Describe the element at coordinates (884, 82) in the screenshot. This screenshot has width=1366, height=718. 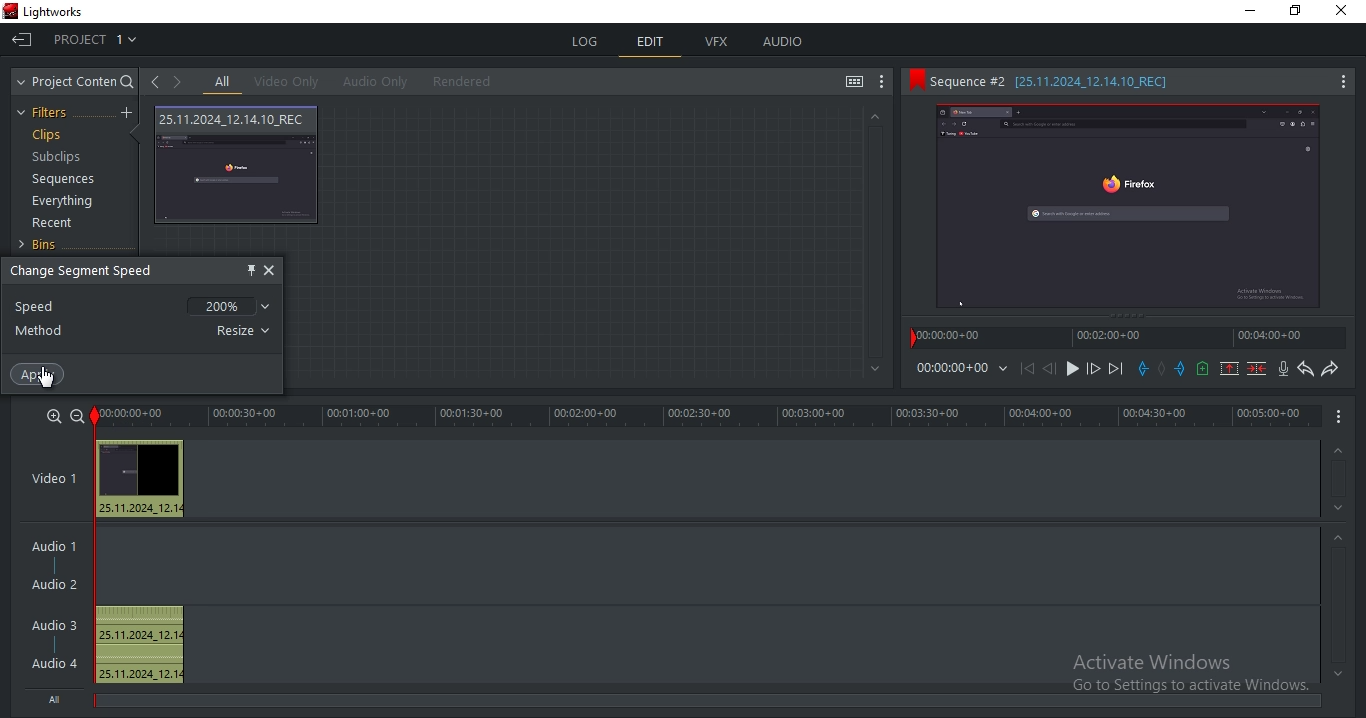
I see `show settings menu` at that location.